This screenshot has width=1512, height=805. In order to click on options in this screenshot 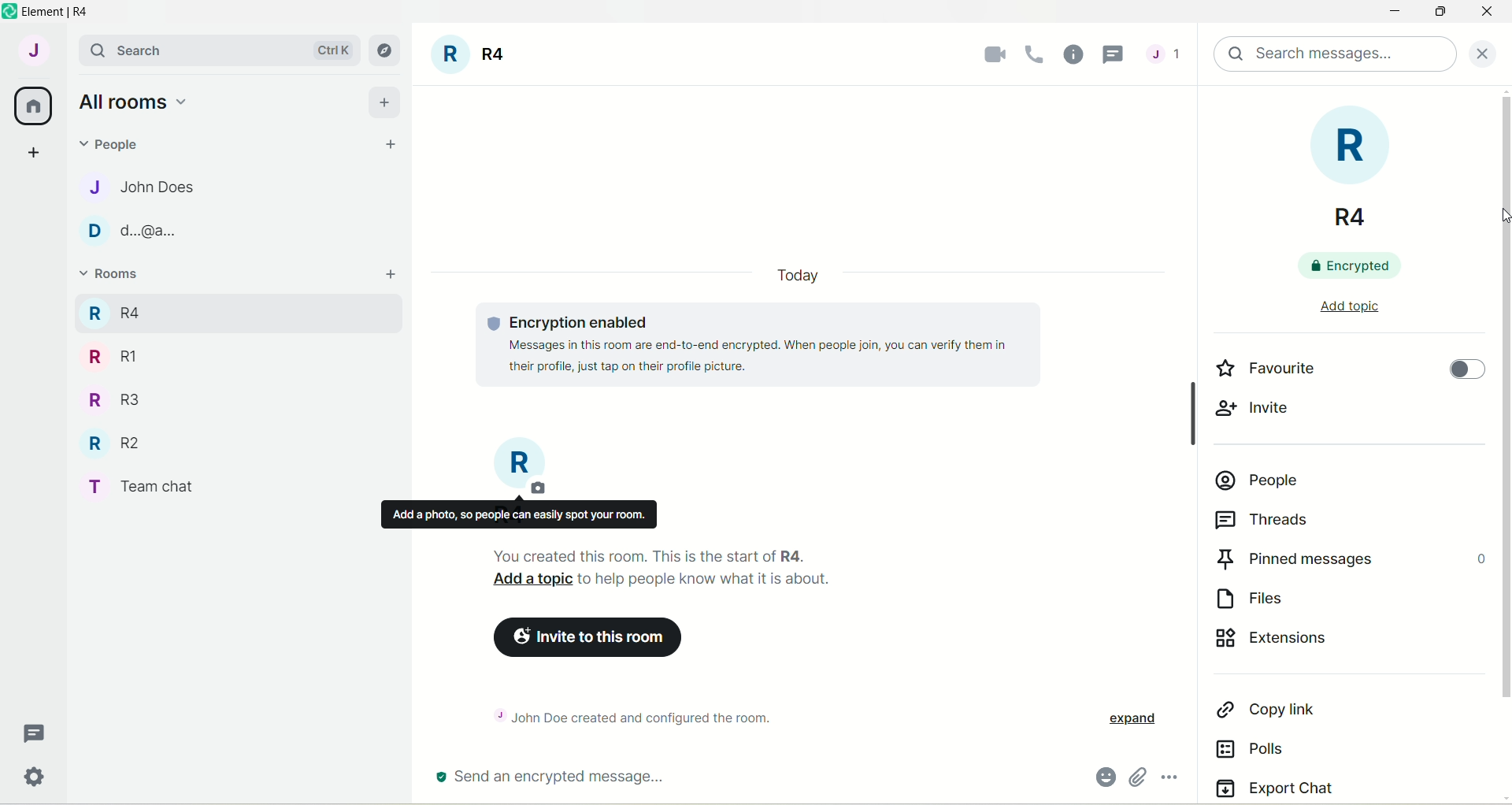, I will do `click(1172, 779)`.